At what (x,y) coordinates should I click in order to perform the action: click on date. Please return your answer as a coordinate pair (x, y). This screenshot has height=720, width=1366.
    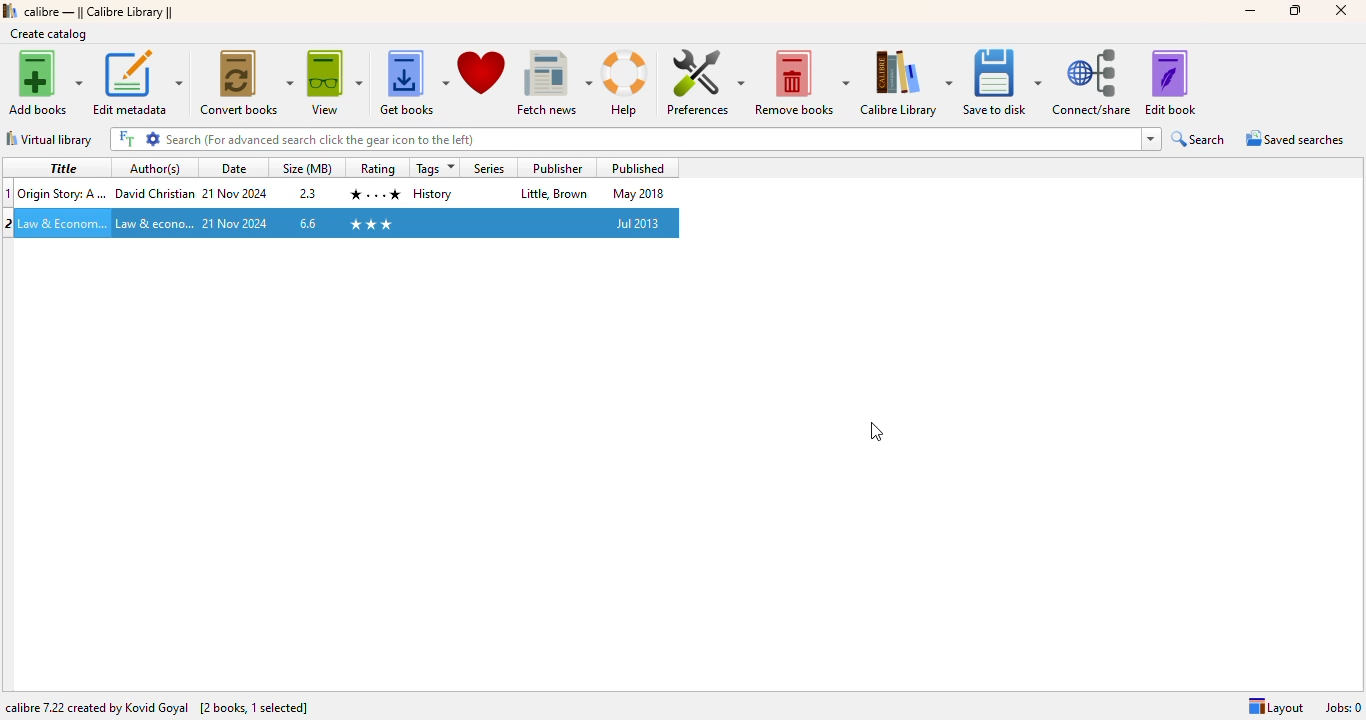
    Looking at the image, I should click on (233, 168).